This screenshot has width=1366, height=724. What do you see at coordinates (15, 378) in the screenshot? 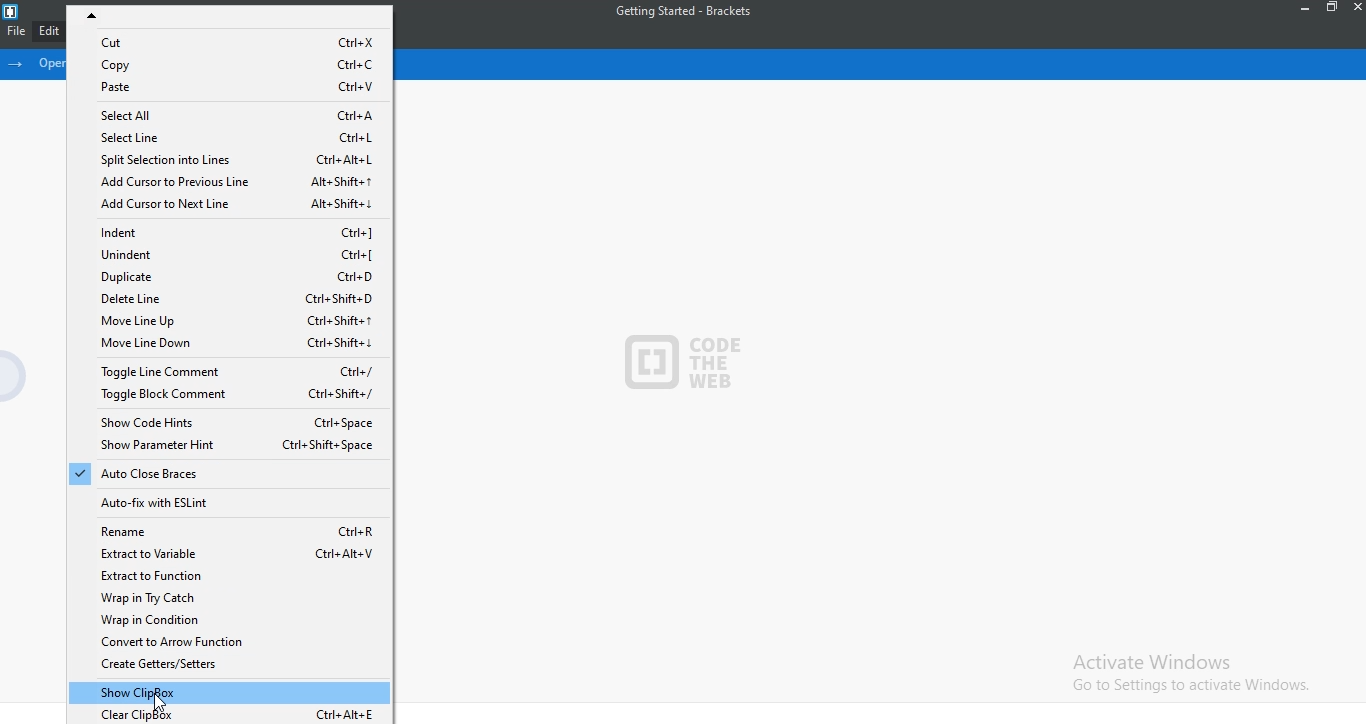
I see `show menu` at bounding box center [15, 378].